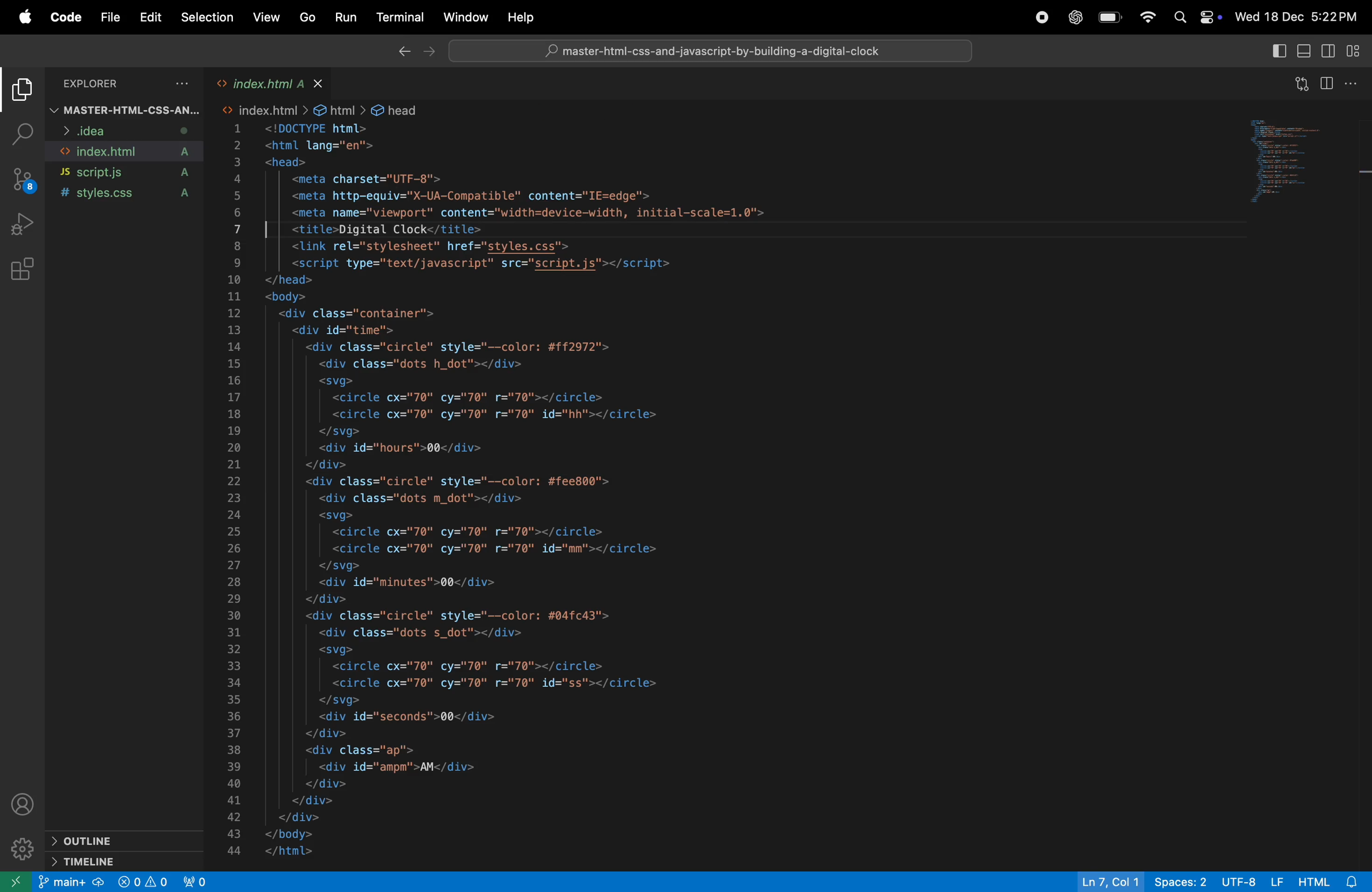  What do you see at coordinates (16, 881) in the screenshot?
I see `open another window` at bounding box center [16, 881].